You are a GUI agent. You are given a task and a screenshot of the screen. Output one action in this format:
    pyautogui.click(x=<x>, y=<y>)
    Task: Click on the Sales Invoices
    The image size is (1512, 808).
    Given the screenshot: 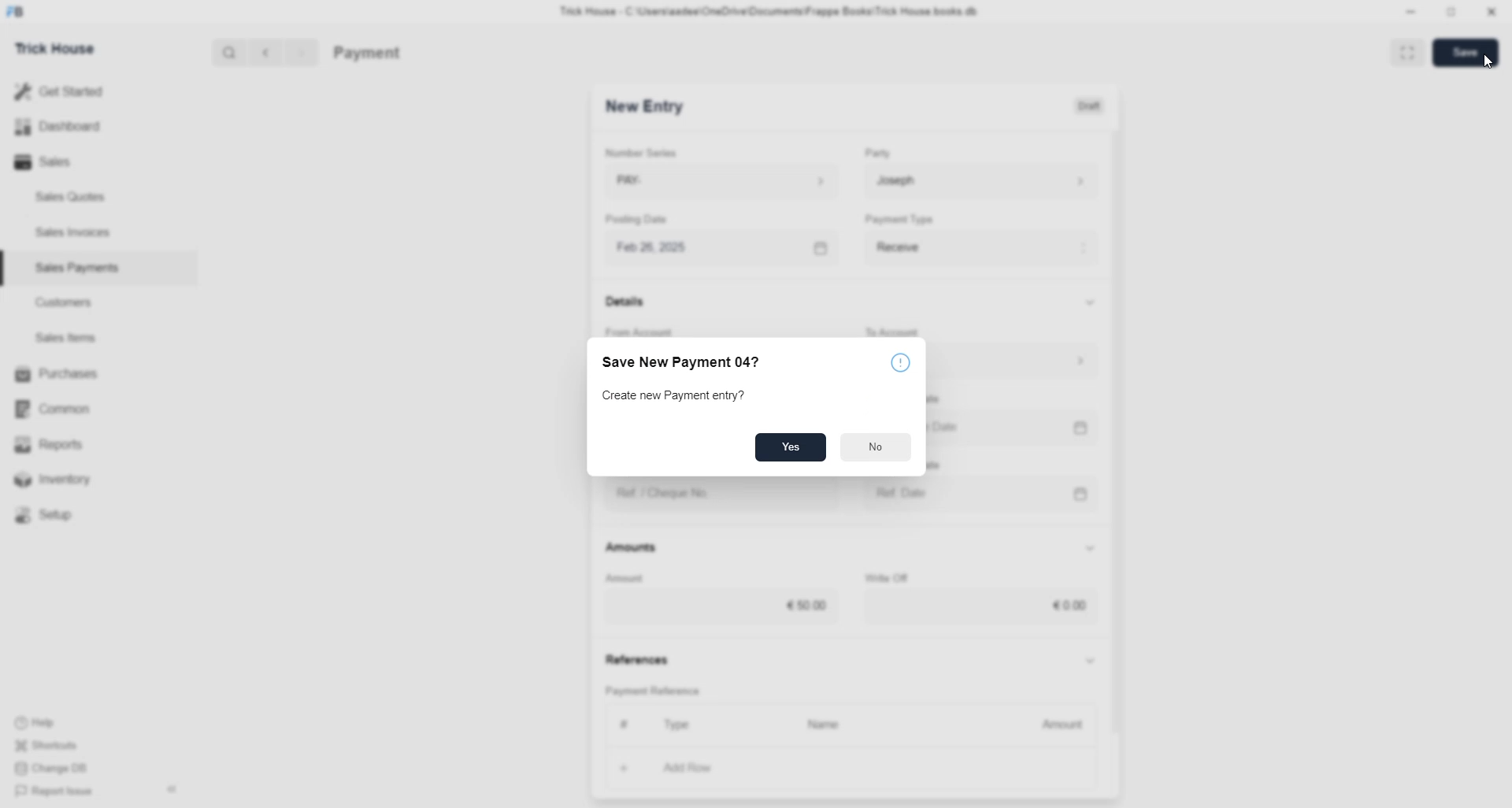 What is the action you would take?
    pyautogui.click(x=78, y=232)
    